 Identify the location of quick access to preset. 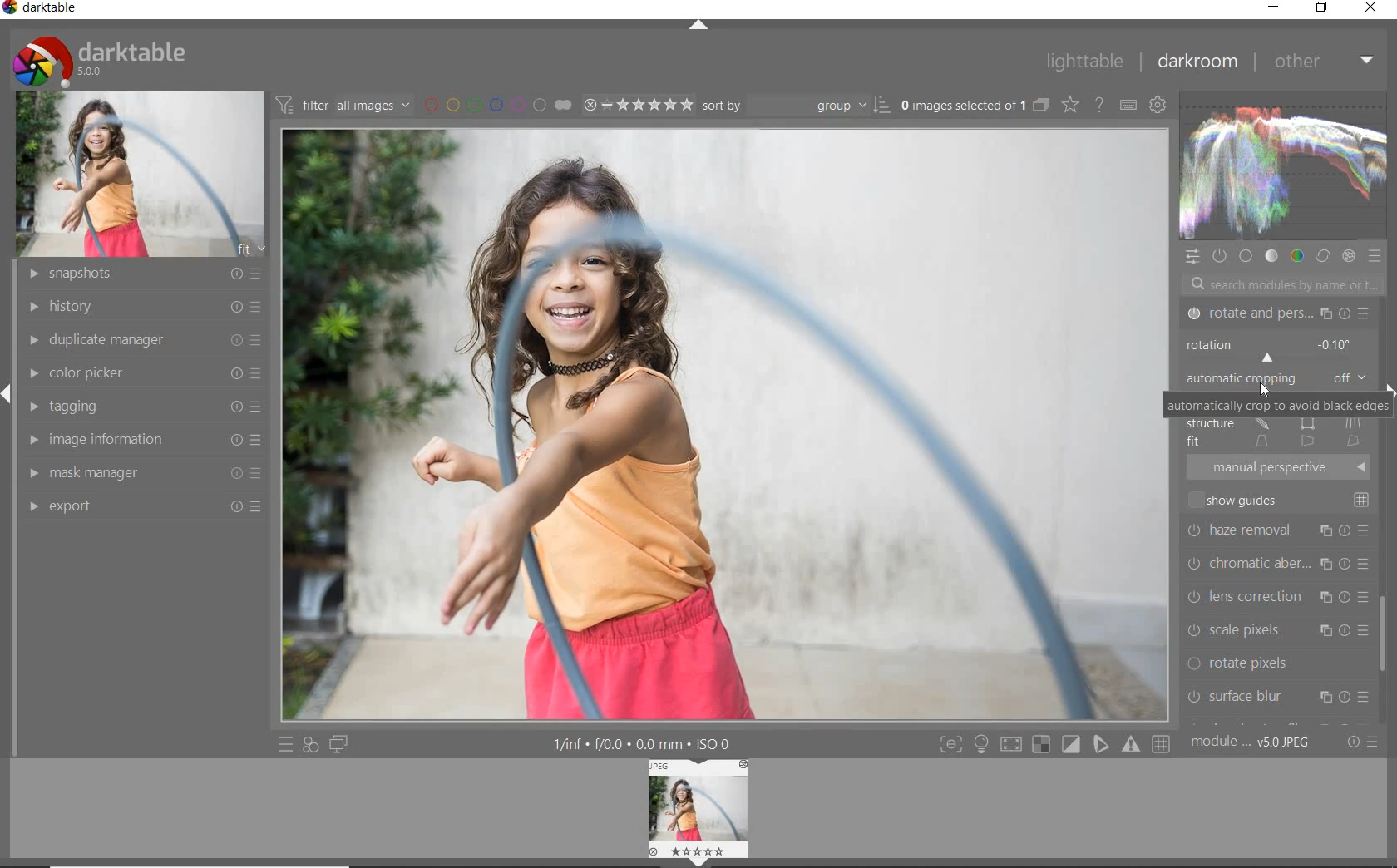
(287, 743).